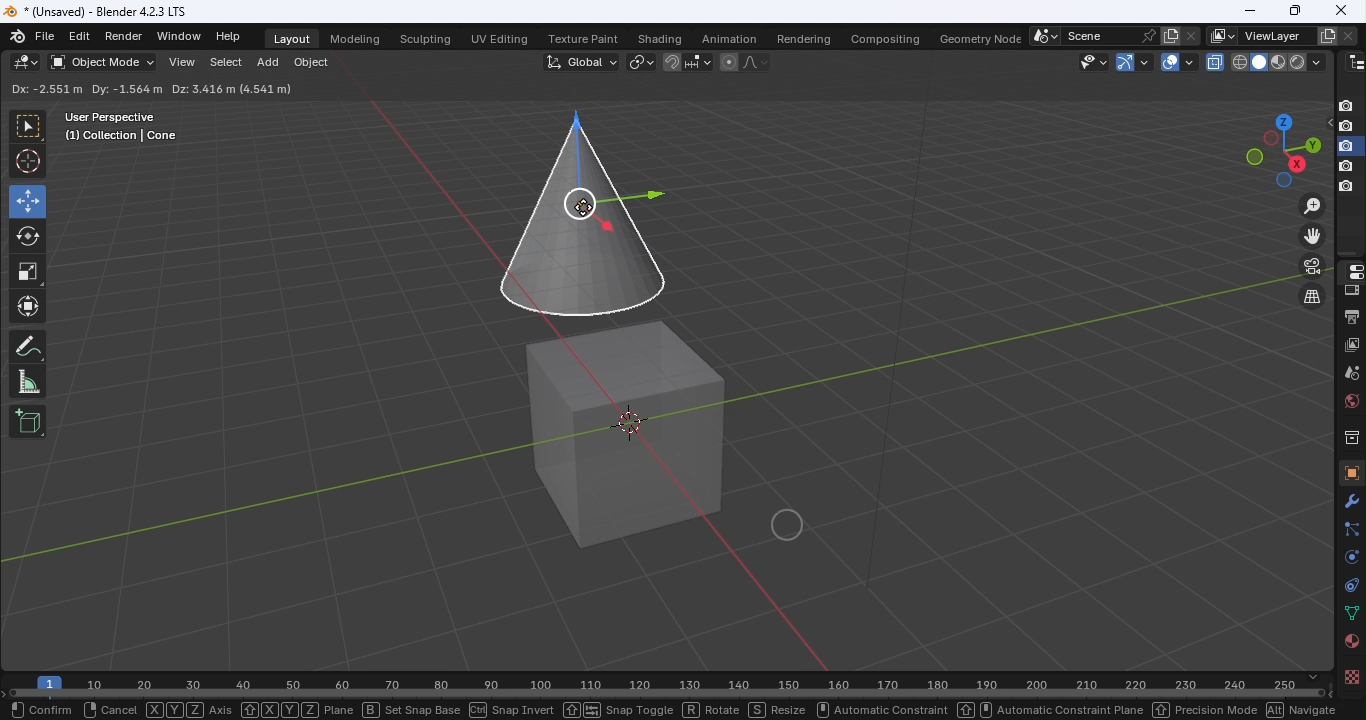  What do you see at coordinates (1270, 139) in the screenshot?
I see `Rotate the view` at bounding box center [1270, 139].